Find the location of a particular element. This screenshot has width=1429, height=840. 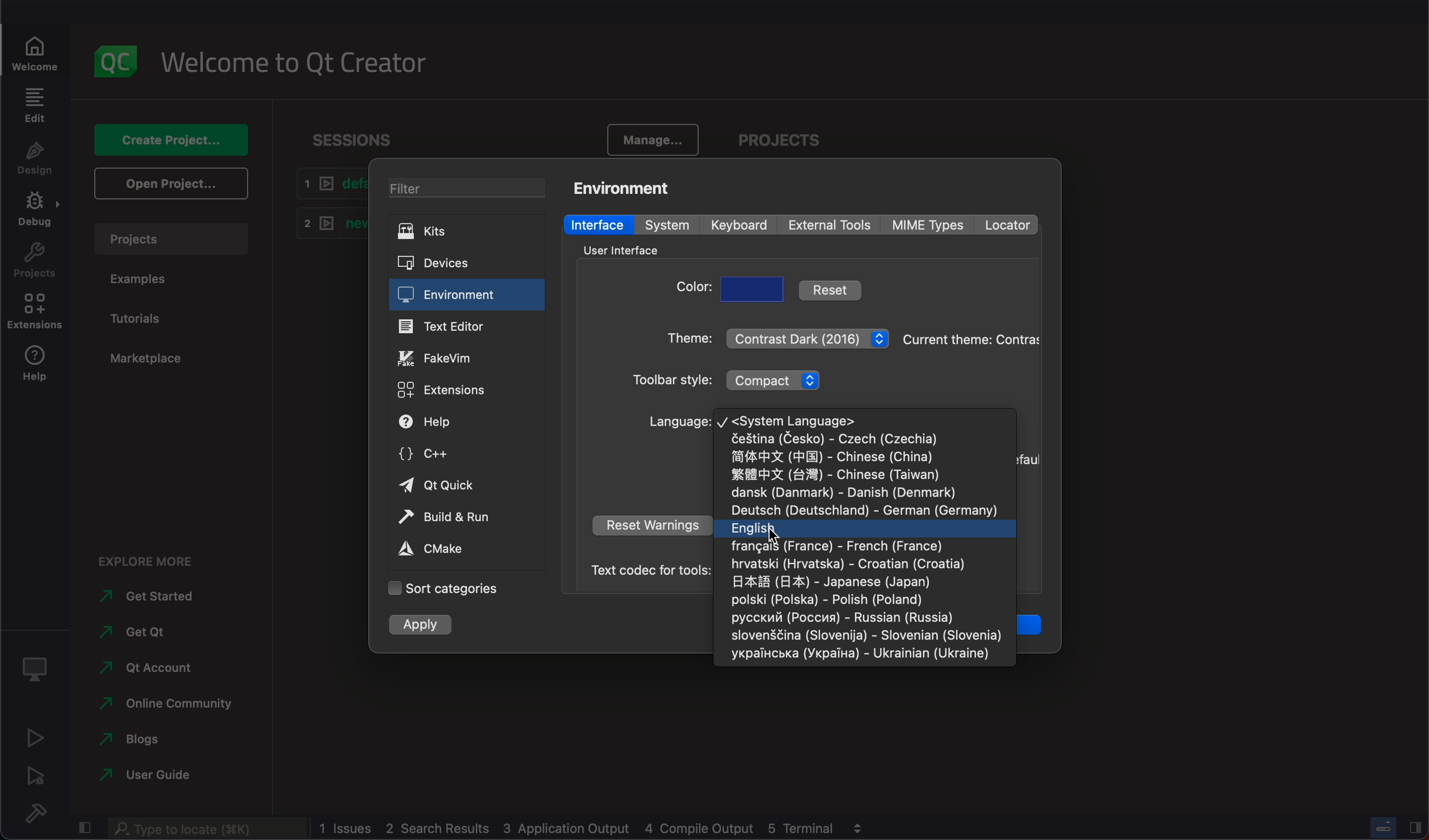

welcome is located at coordinates (36, 52).